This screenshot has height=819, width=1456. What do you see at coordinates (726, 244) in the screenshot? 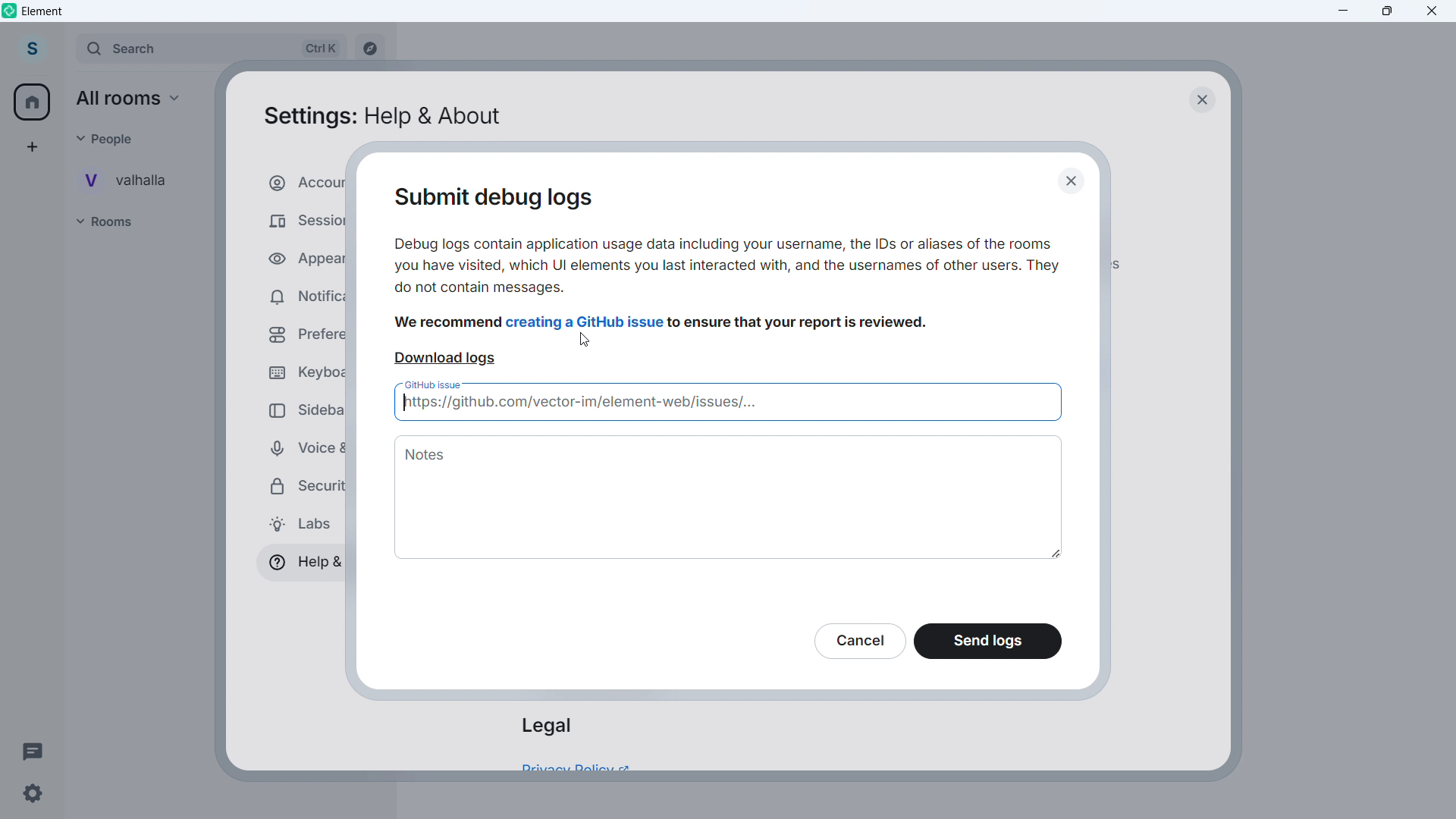
I see `debug logs contain application usage data including your usernam, the IDs or aliases of the rooms` at bounding box center [726, 244].